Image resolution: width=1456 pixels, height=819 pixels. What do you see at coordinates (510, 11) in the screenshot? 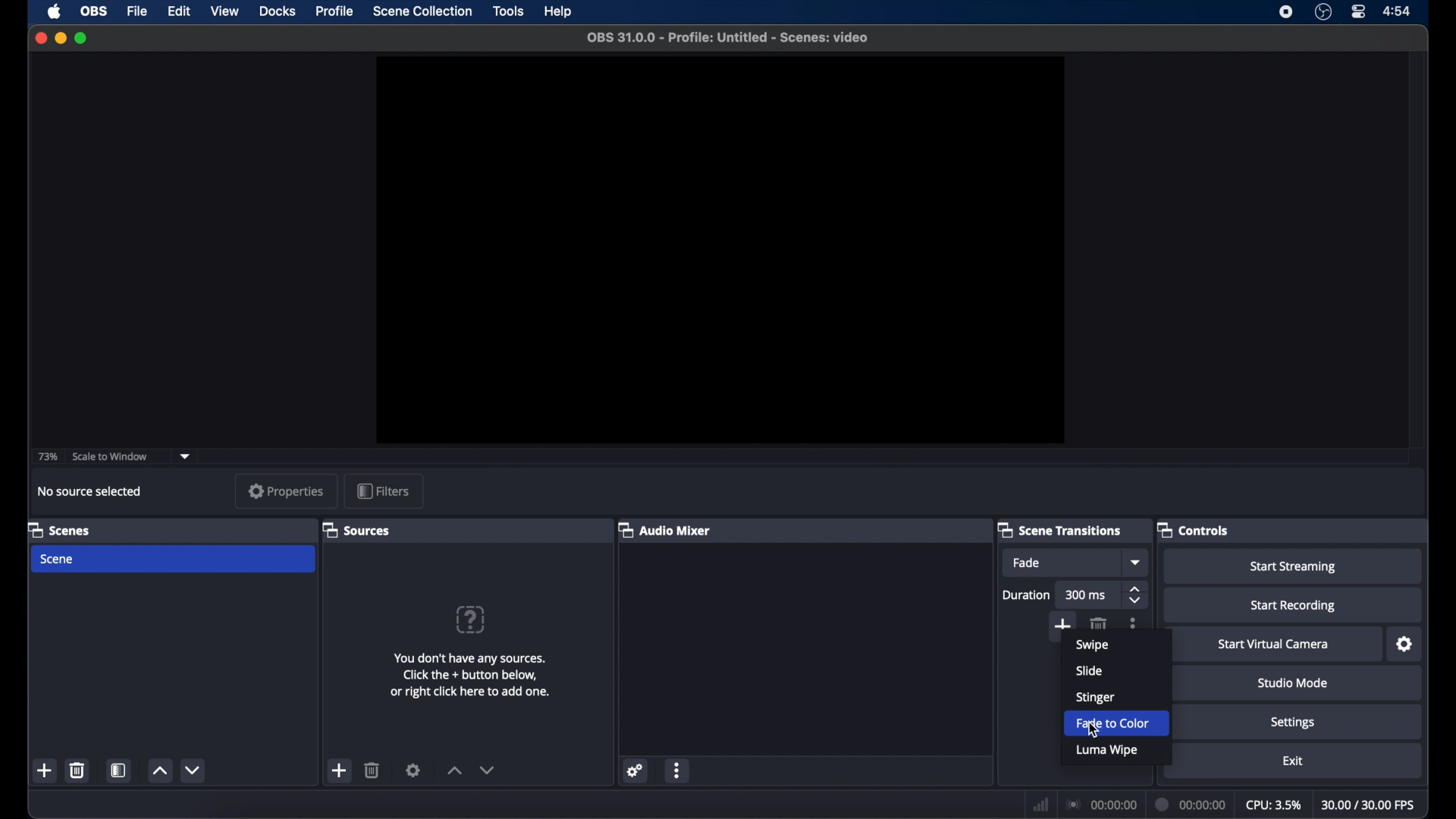
I see `tools` at bounding box center [510, 11].